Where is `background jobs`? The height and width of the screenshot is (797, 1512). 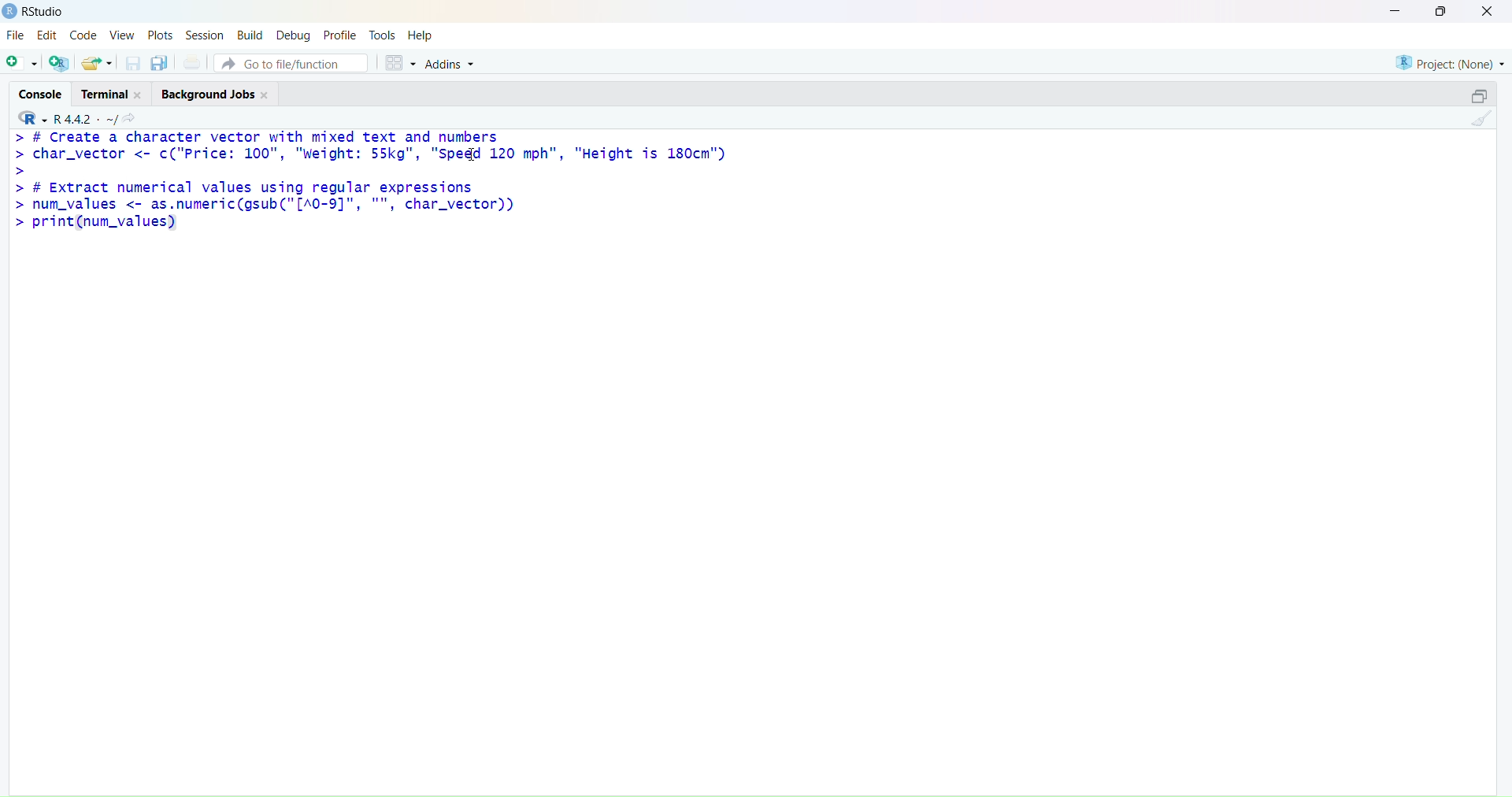
background jobs is located at coordinates (208, 95).